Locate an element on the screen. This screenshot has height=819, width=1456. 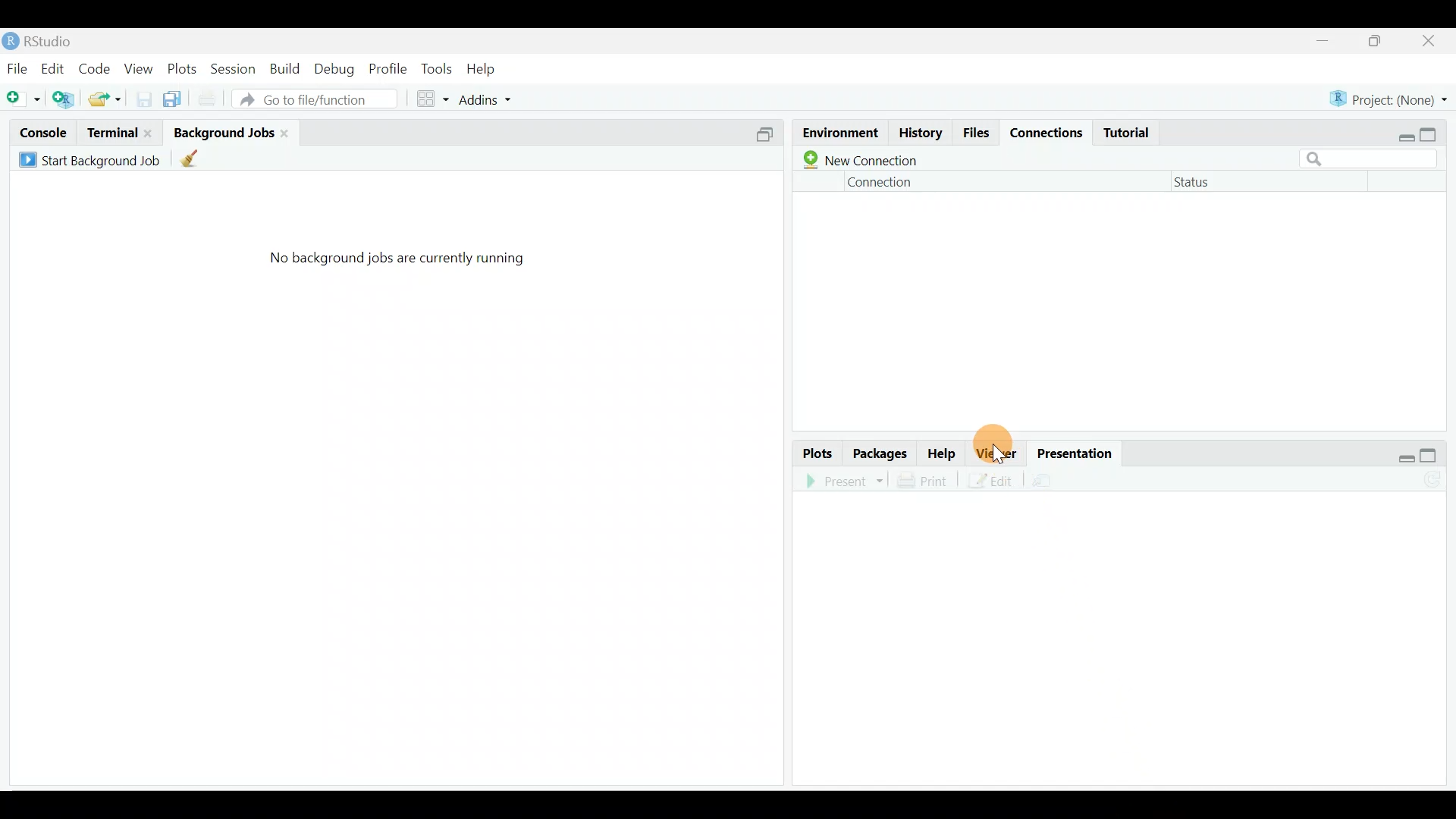
Connections is located at coordinates (1050, 134).